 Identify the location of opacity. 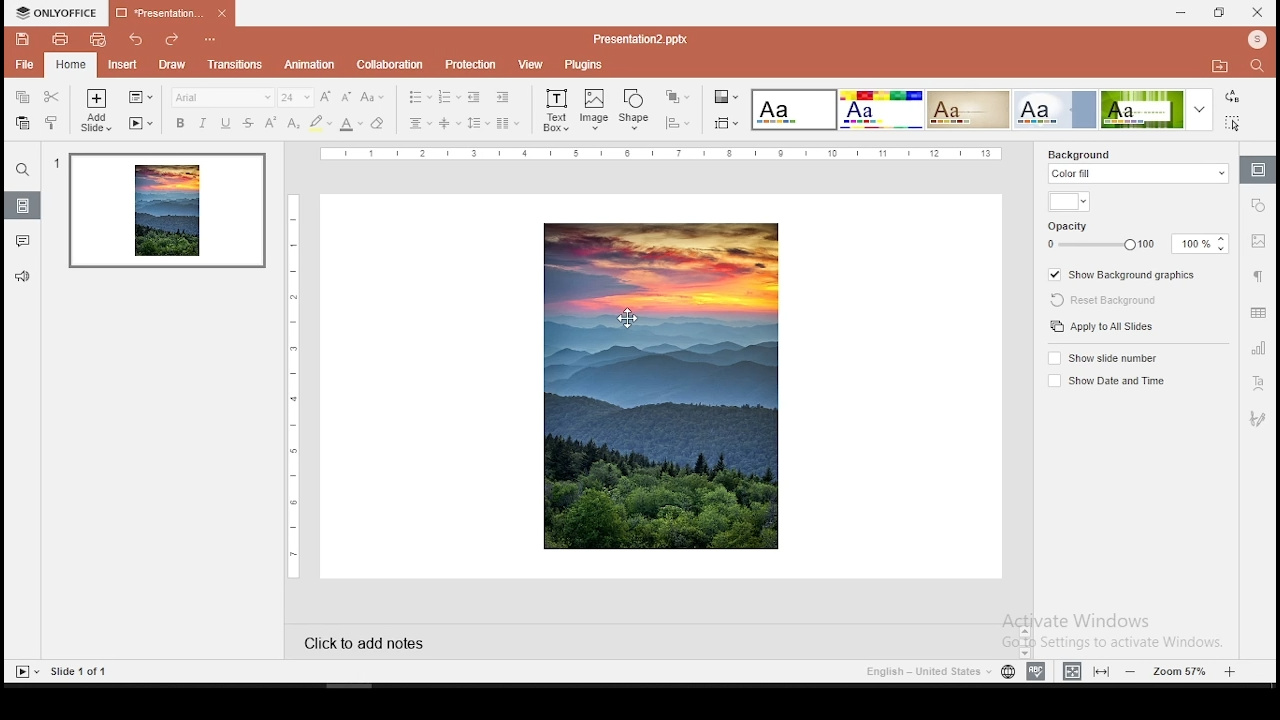
(1138, 238).